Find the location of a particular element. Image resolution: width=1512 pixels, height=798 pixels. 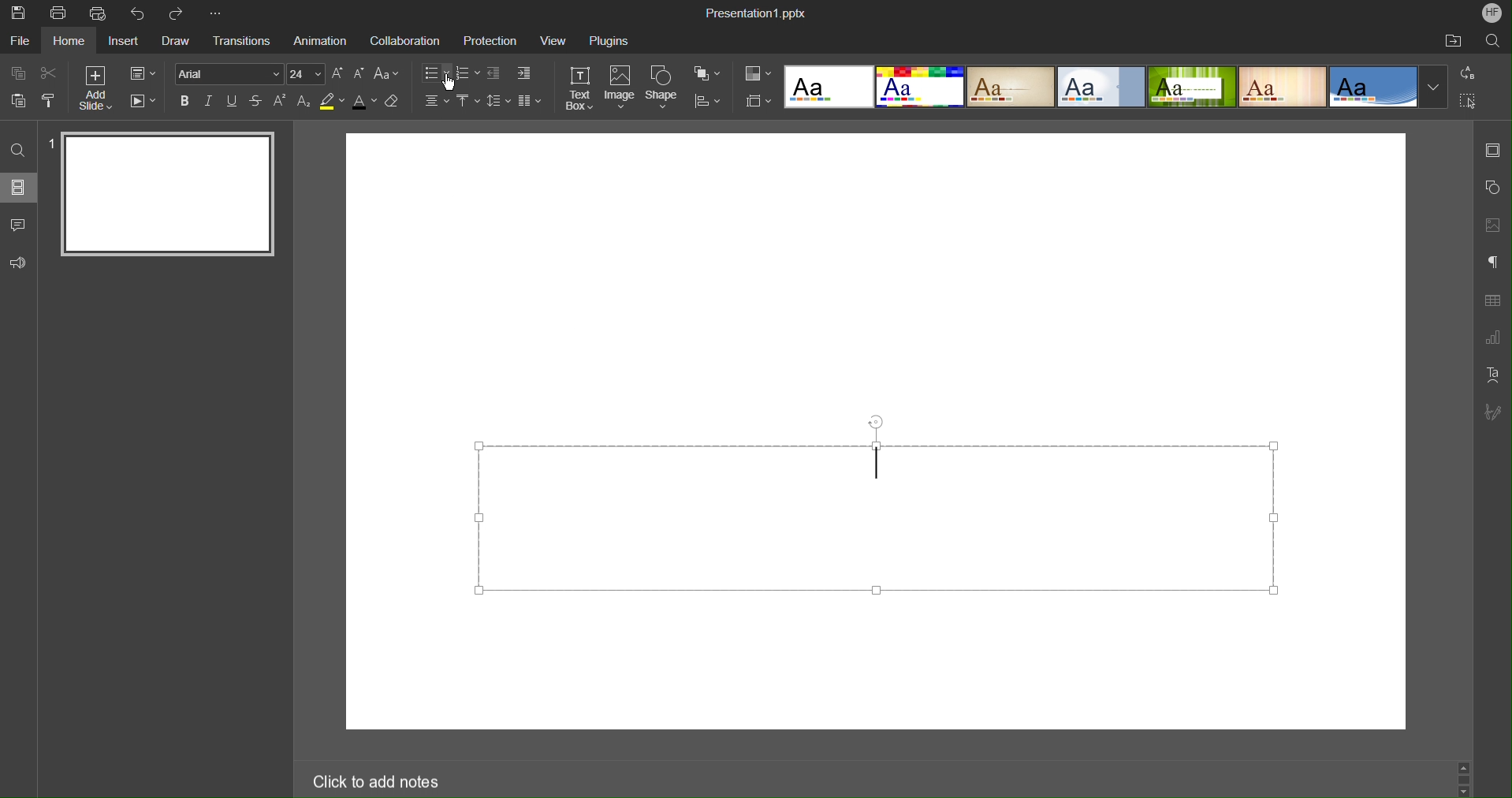

Draw is located at coordinates (176, 42).